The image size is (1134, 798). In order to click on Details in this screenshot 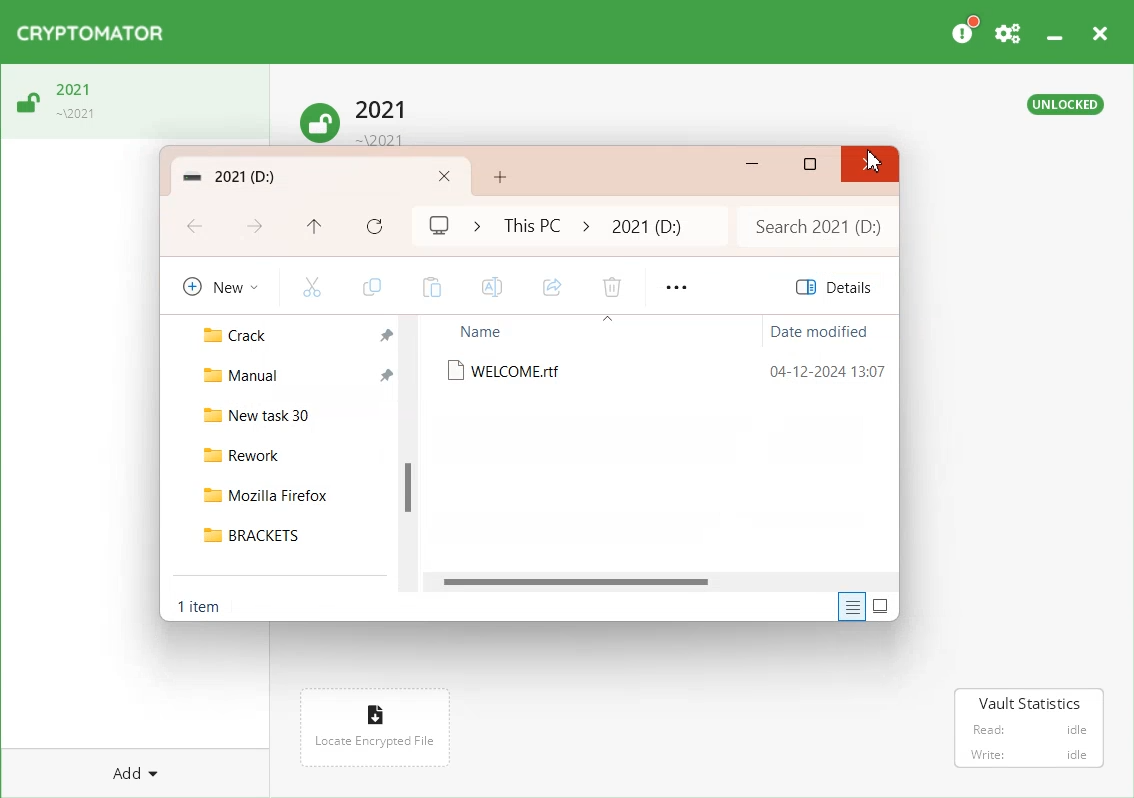, I will do `click(840, 287)`.